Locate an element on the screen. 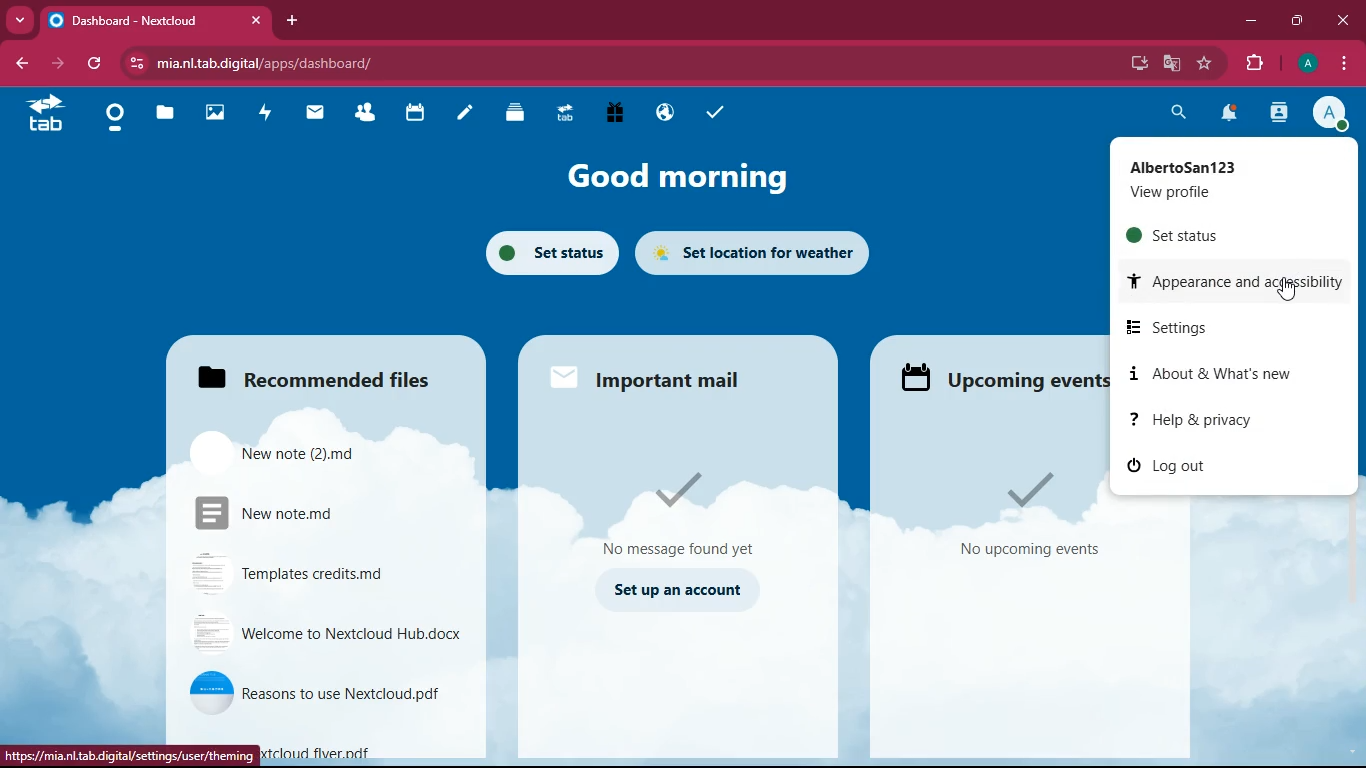 The height and width of the screenshot is (768, 1366). set location is located at coordinates (767, 250).